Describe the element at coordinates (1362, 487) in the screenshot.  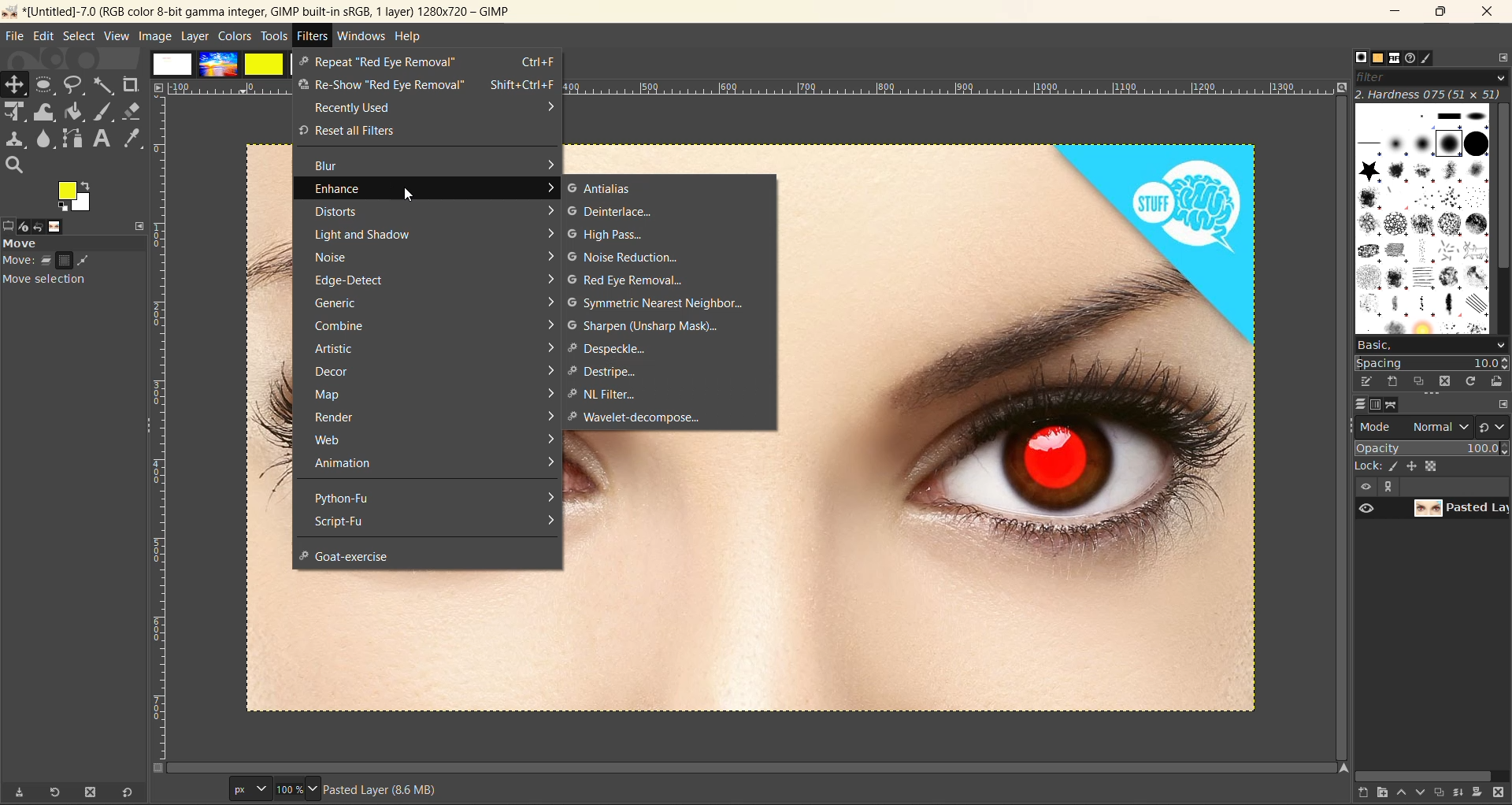
I see `view` at that location.